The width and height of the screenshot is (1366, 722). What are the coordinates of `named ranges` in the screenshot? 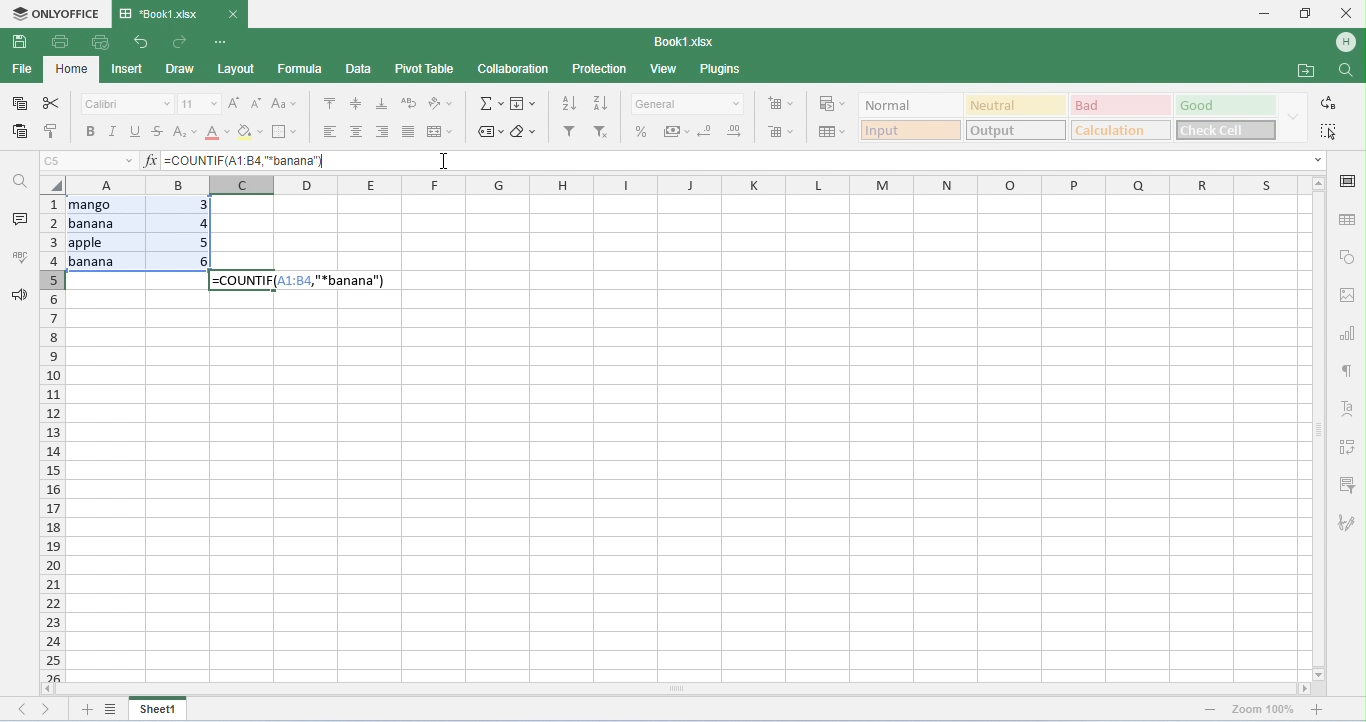 It's located at (490, 132).